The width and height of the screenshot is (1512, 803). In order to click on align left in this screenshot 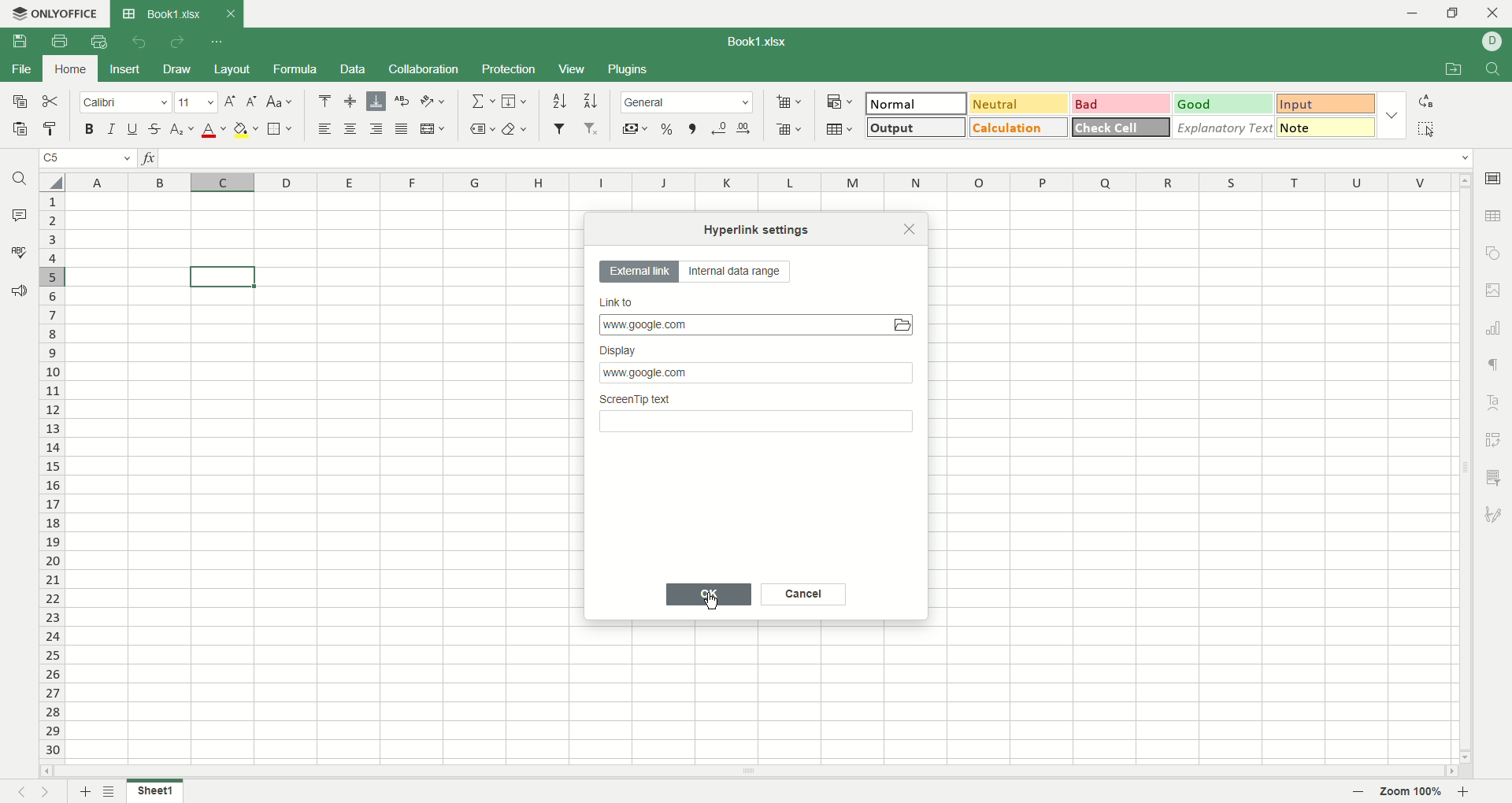, I will do `click(328, 130)`.